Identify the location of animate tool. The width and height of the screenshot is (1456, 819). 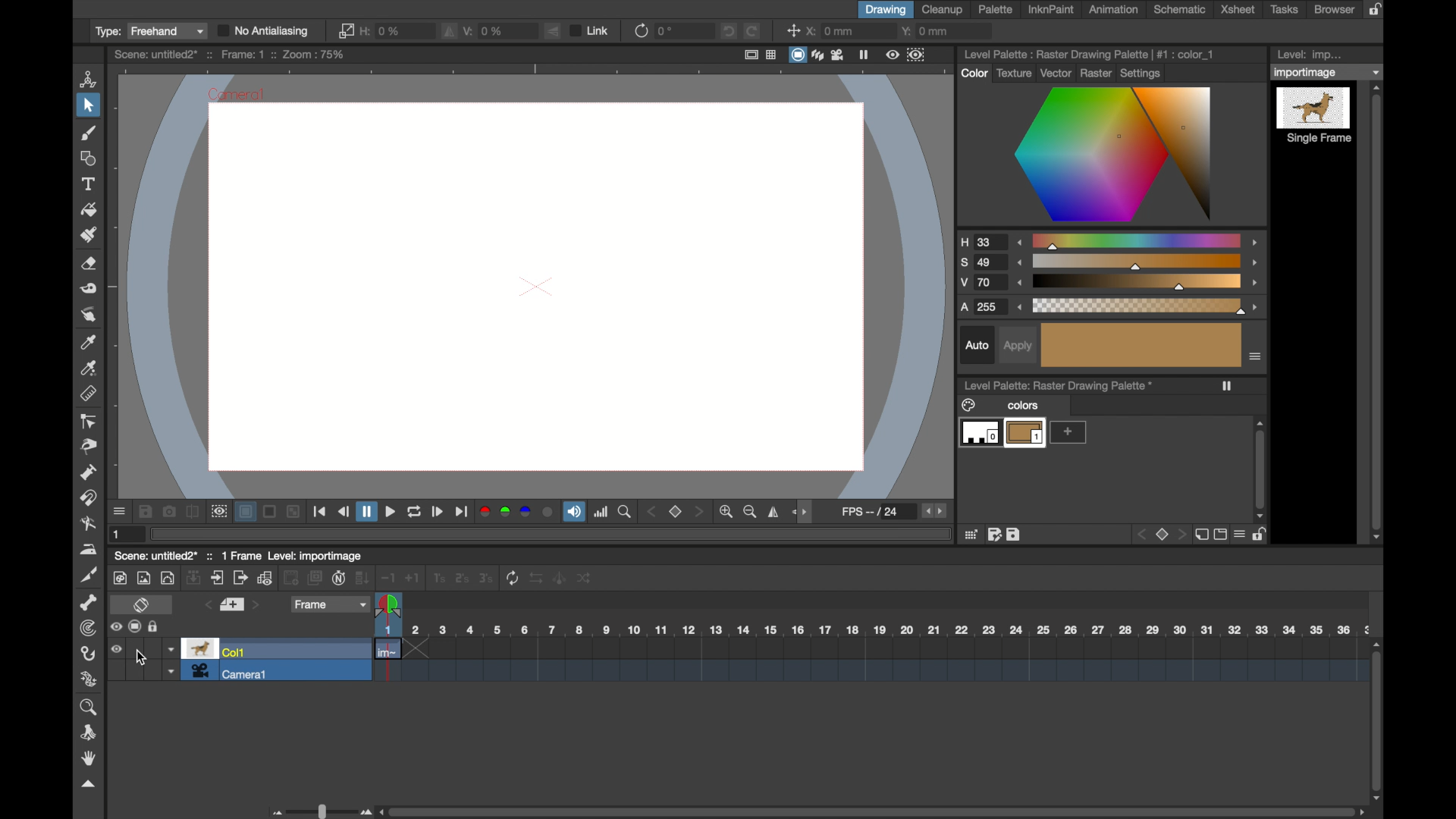
(89, 78).